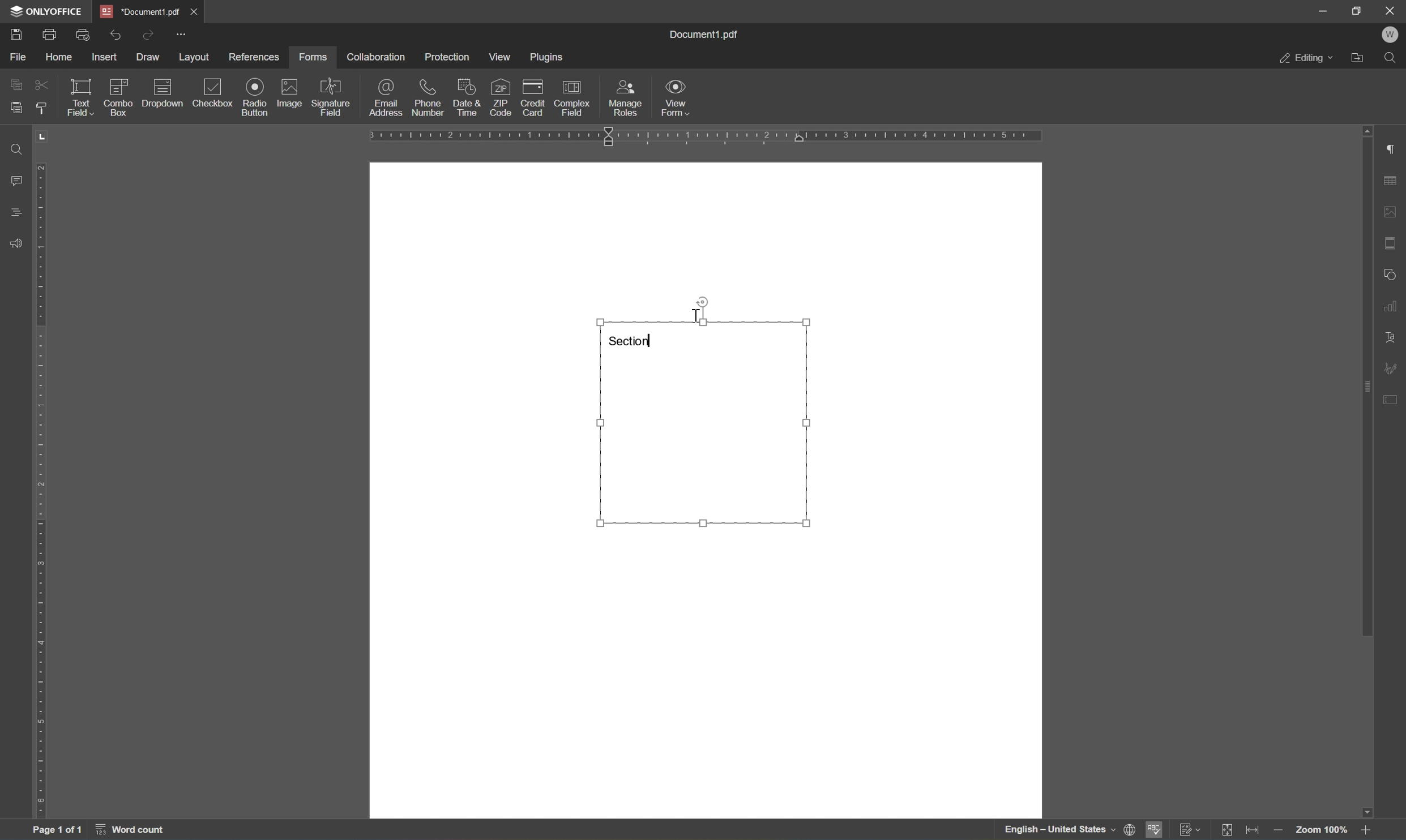  Describe the element at coordinates (706, 138) in the screenshot. I see `ruler` at that location.